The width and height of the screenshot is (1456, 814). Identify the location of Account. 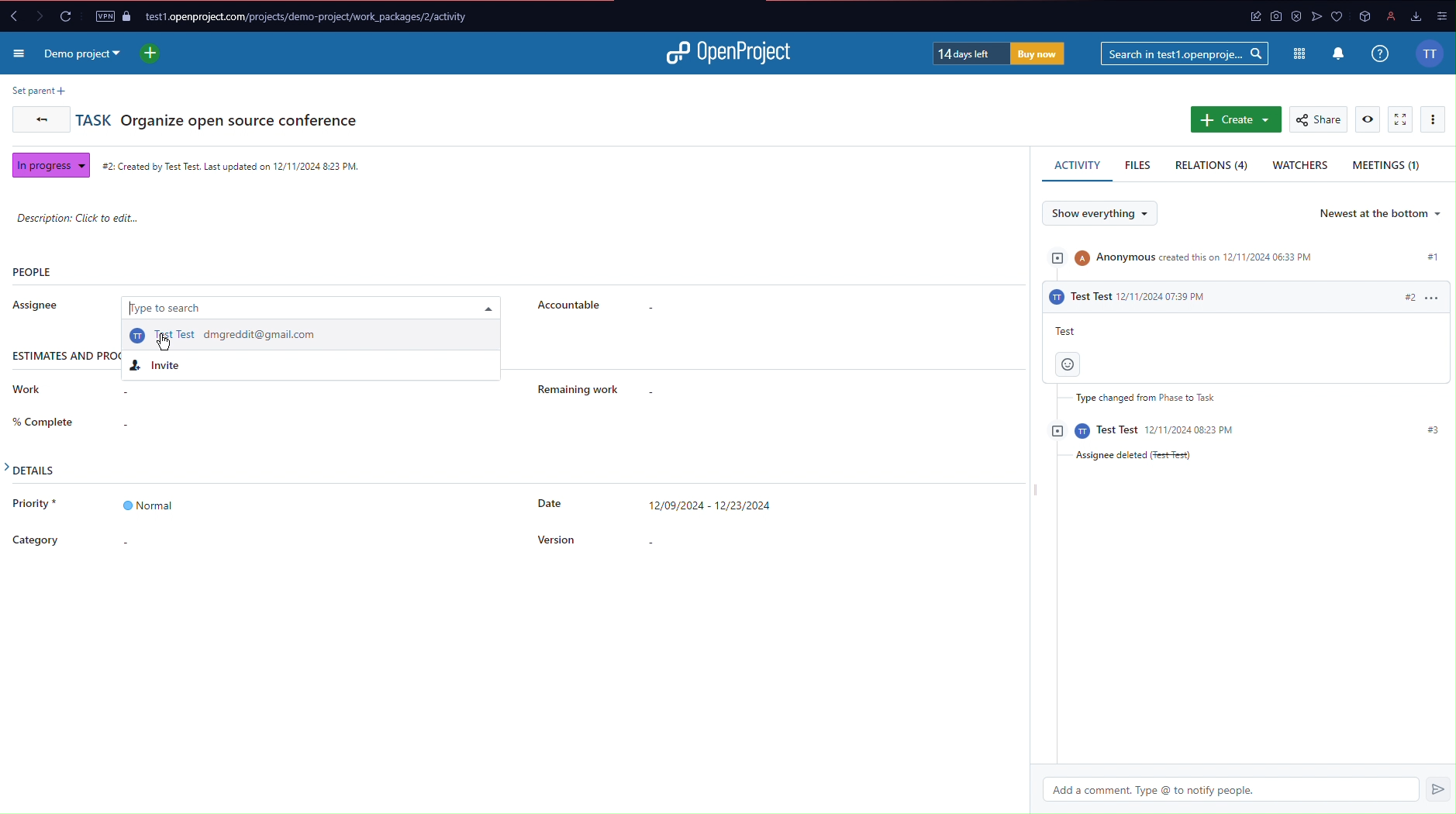
(1432, 52).